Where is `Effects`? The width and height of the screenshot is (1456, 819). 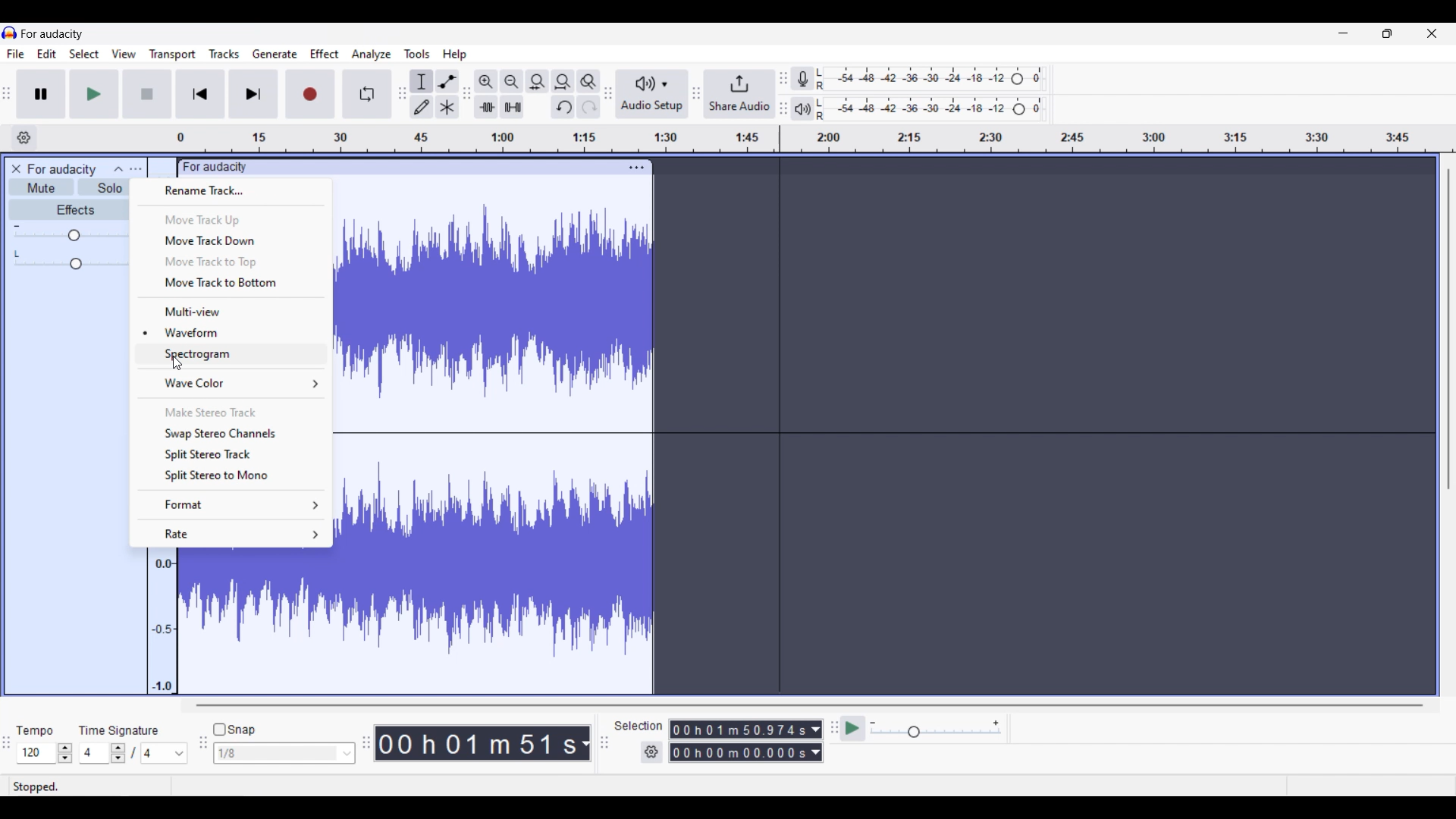
Effects is located at coordinates (67, 209).